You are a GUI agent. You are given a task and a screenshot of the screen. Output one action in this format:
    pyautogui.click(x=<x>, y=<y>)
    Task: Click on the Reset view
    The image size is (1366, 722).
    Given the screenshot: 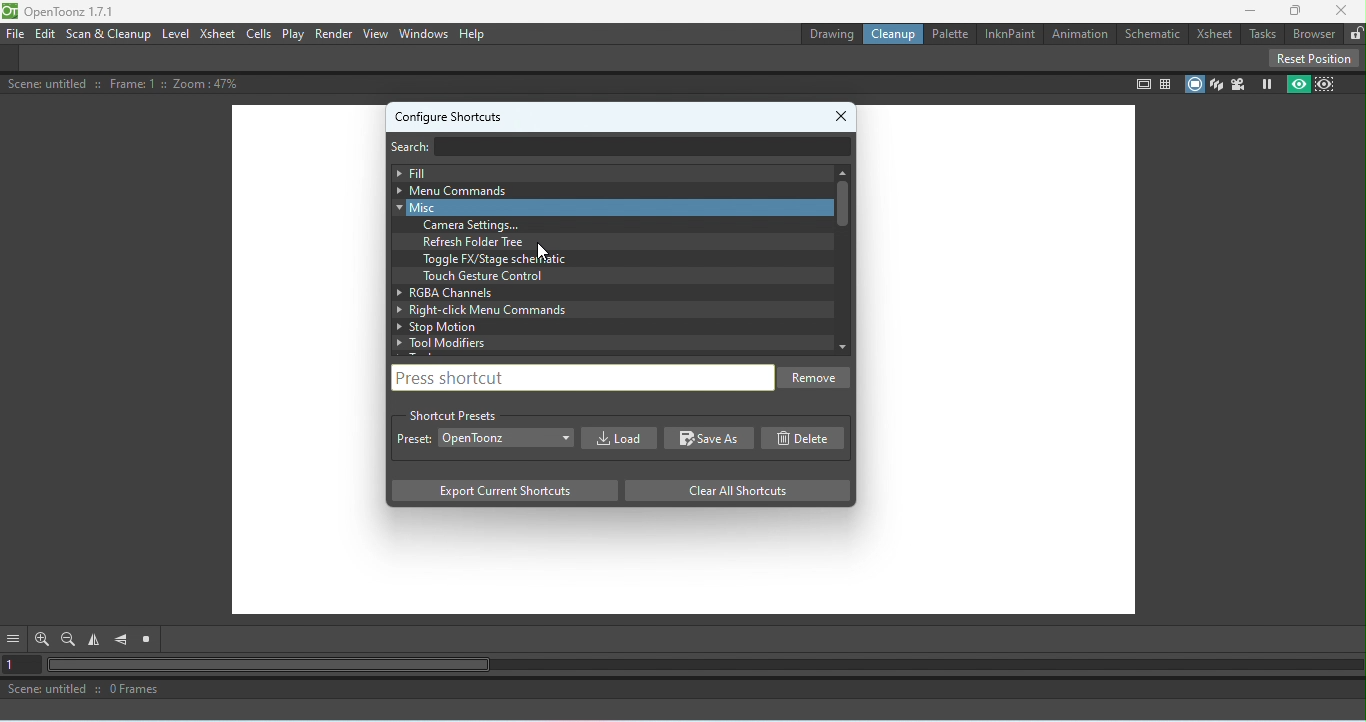 What is the action you would take?
    pyautogui.click(x=150, y=640)
    